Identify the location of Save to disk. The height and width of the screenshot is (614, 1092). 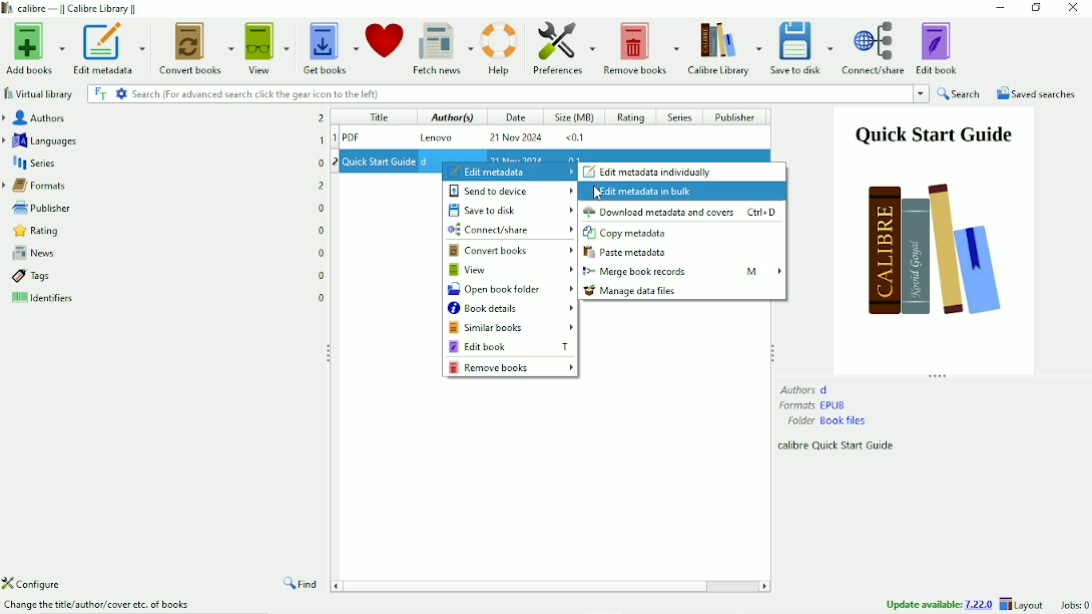
(512, 210).